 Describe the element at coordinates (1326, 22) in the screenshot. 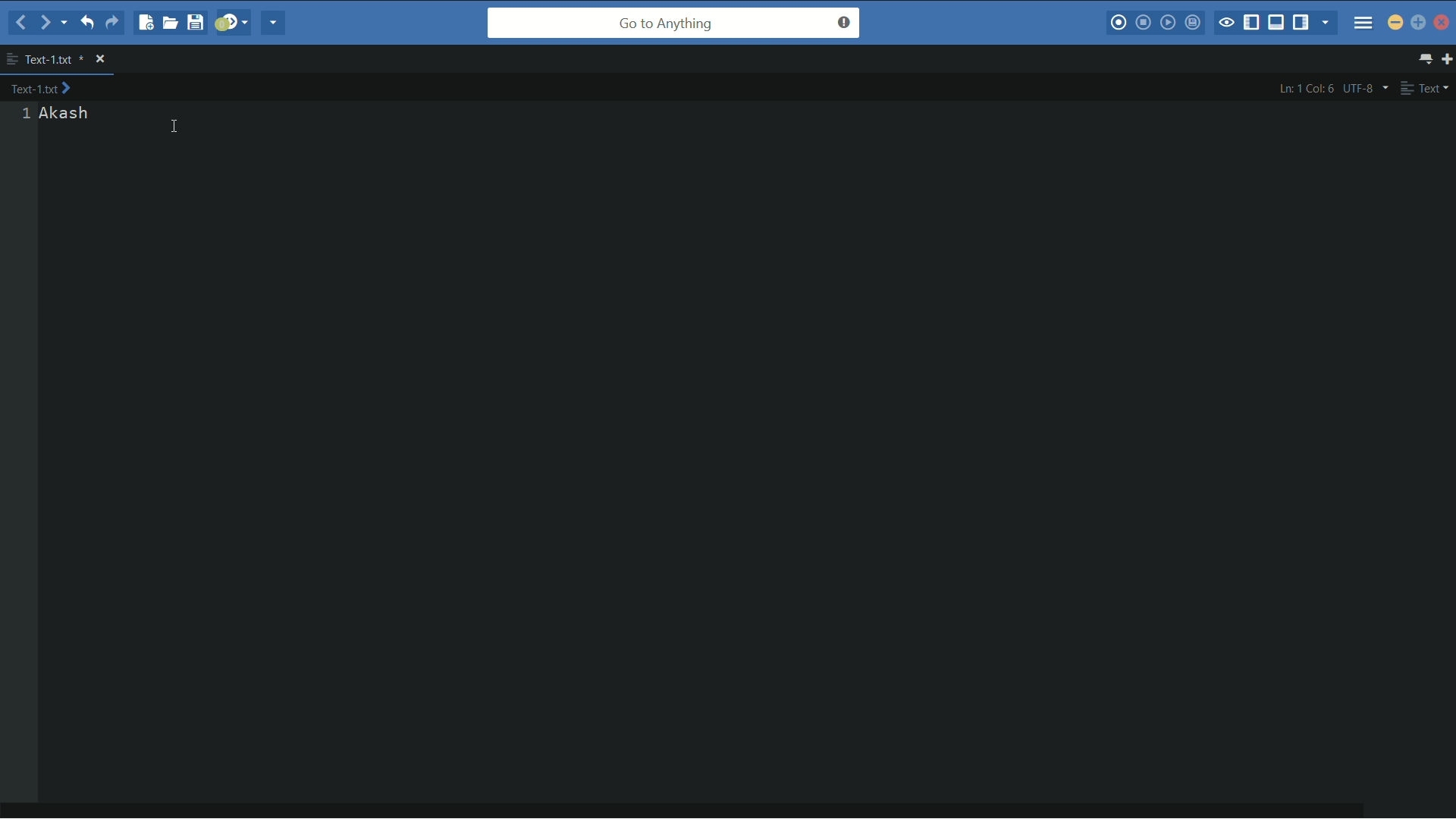

I see `show specific sidebar/tab` at that location.